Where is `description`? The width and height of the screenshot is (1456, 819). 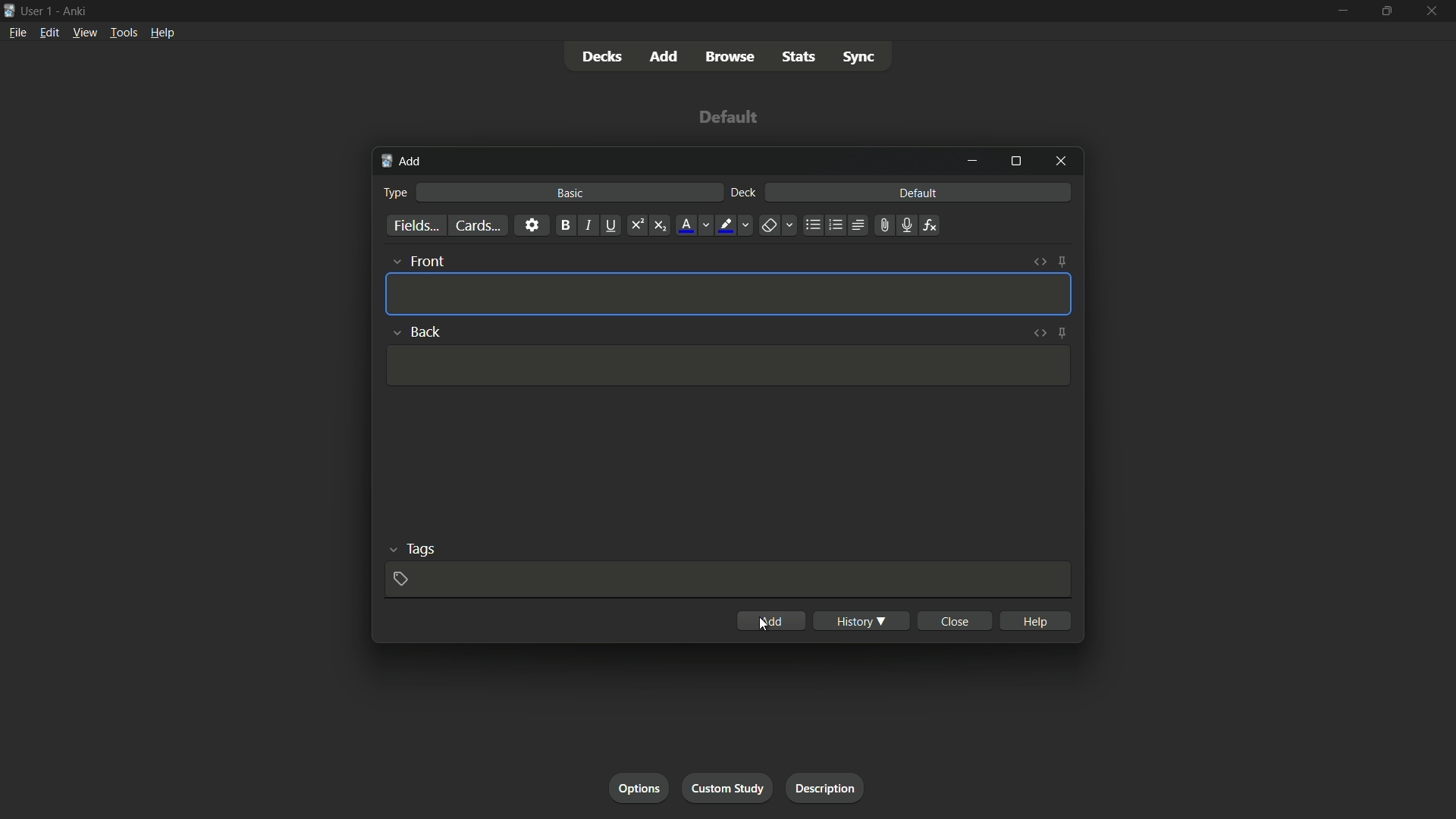 description is located at coordinates (826, 788).